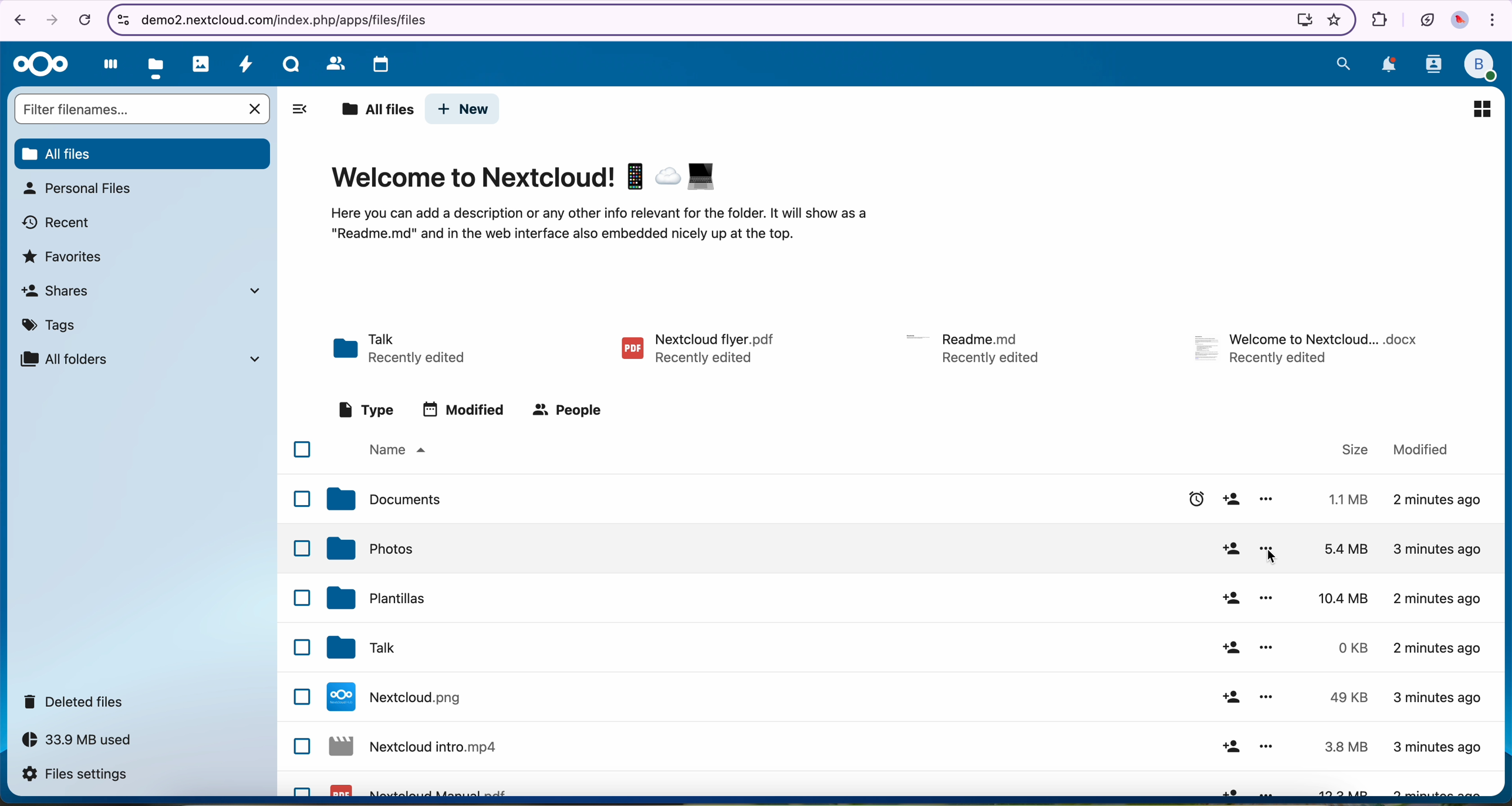 The width and height of the screenshot is (1512, 806). Describe the element at coordinates (1462, 22) in the screenshot. I see `profile picture` at that location.